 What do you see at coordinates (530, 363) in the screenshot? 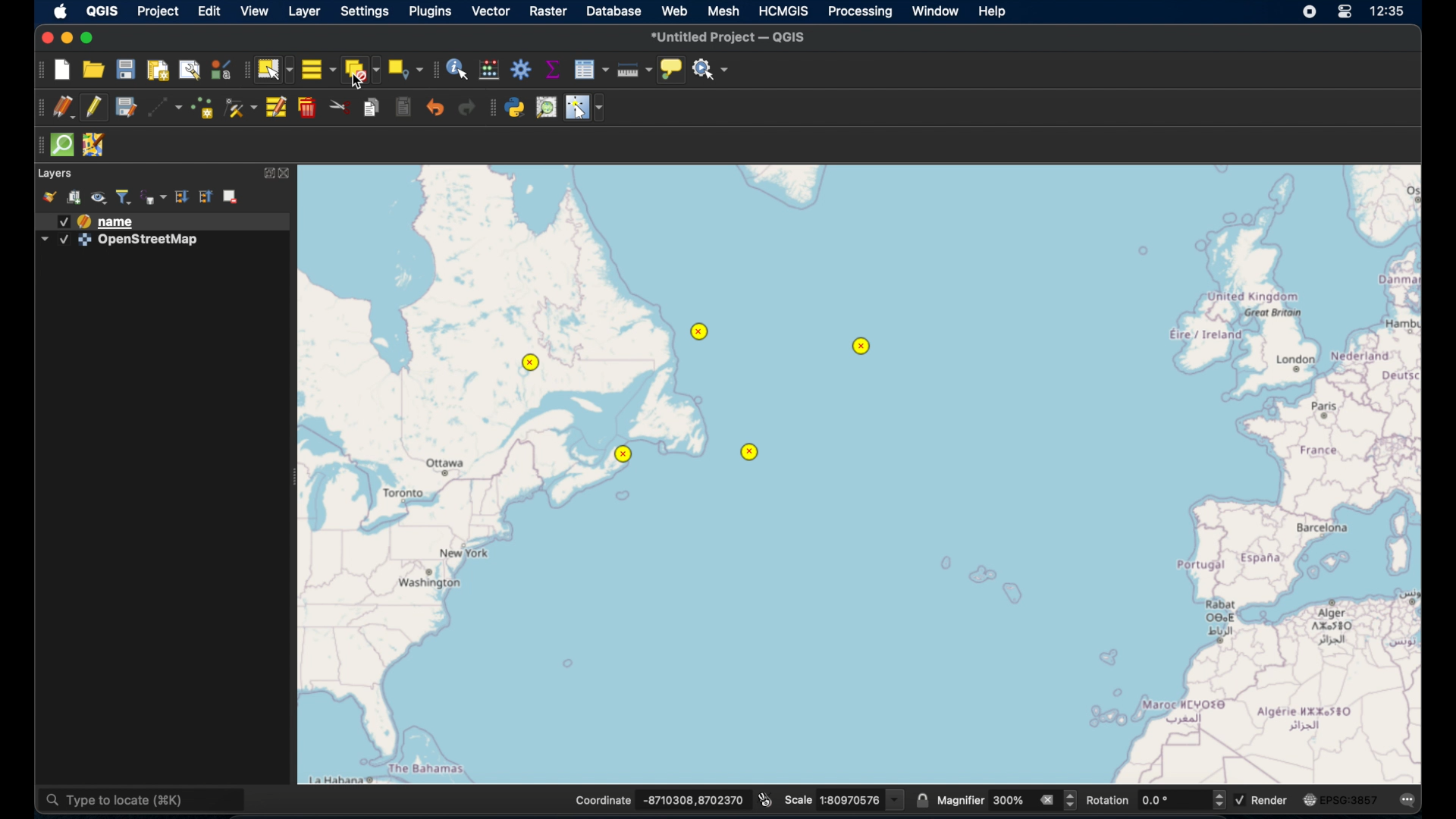
I see `selected point` at bounding box center [530, 363].